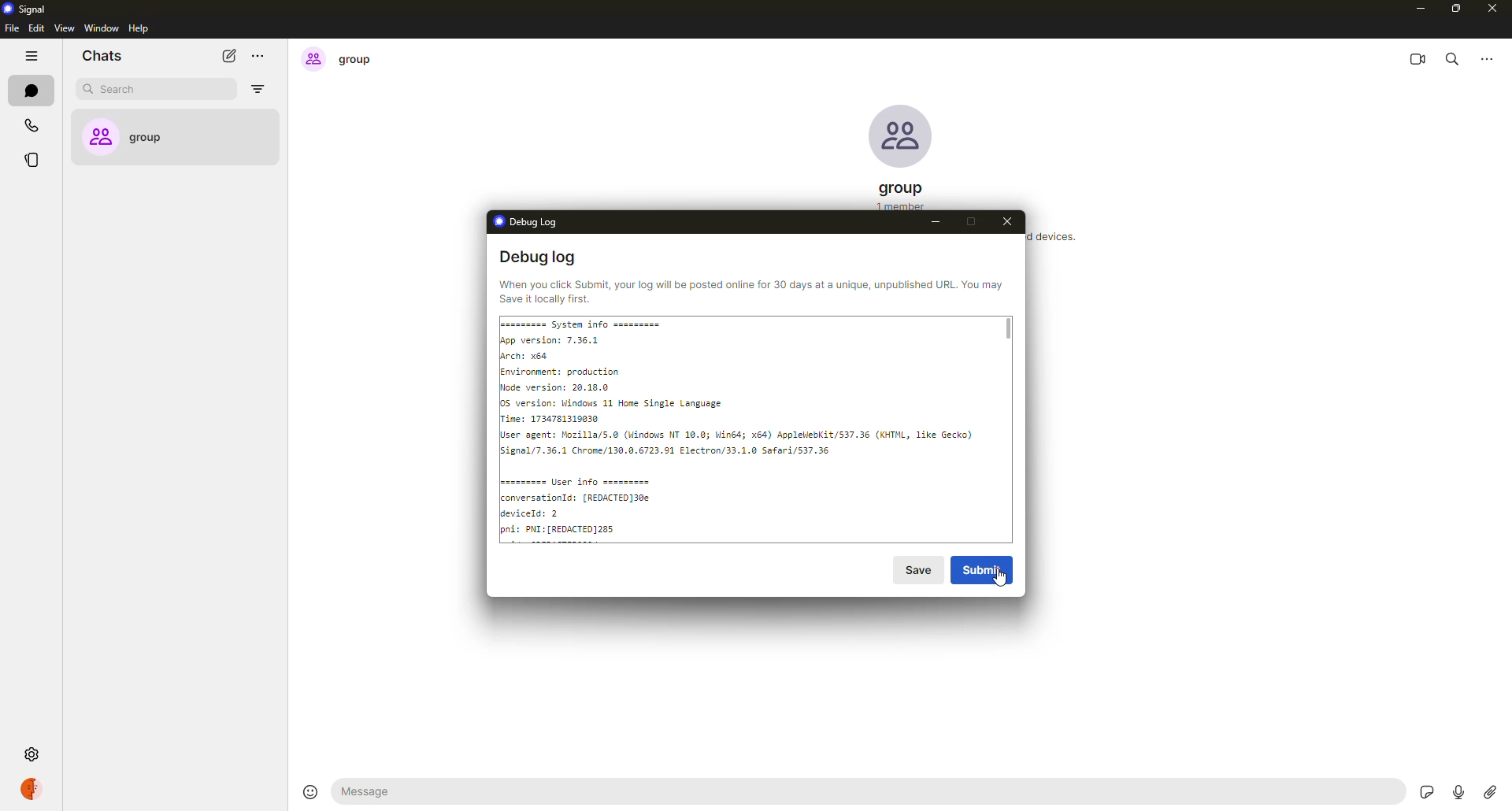 The height and width of the screenshot is (811, 1512). What do you see at coordinates (900, 192) in the screenshot?
I see `group` at bounding box center [900, 192].